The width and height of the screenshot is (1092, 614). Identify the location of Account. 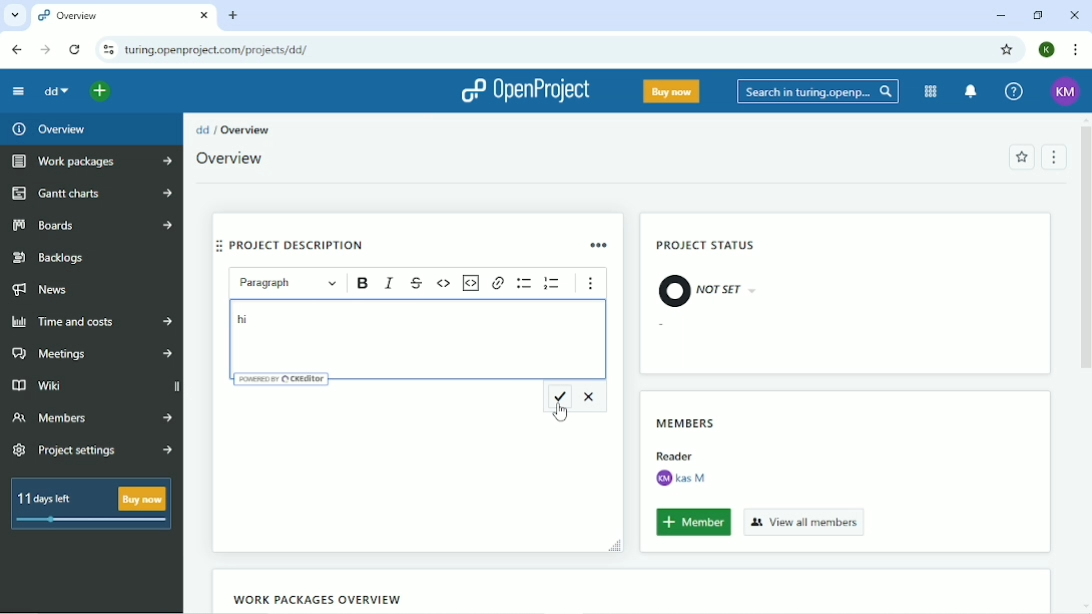
(1046, 49).